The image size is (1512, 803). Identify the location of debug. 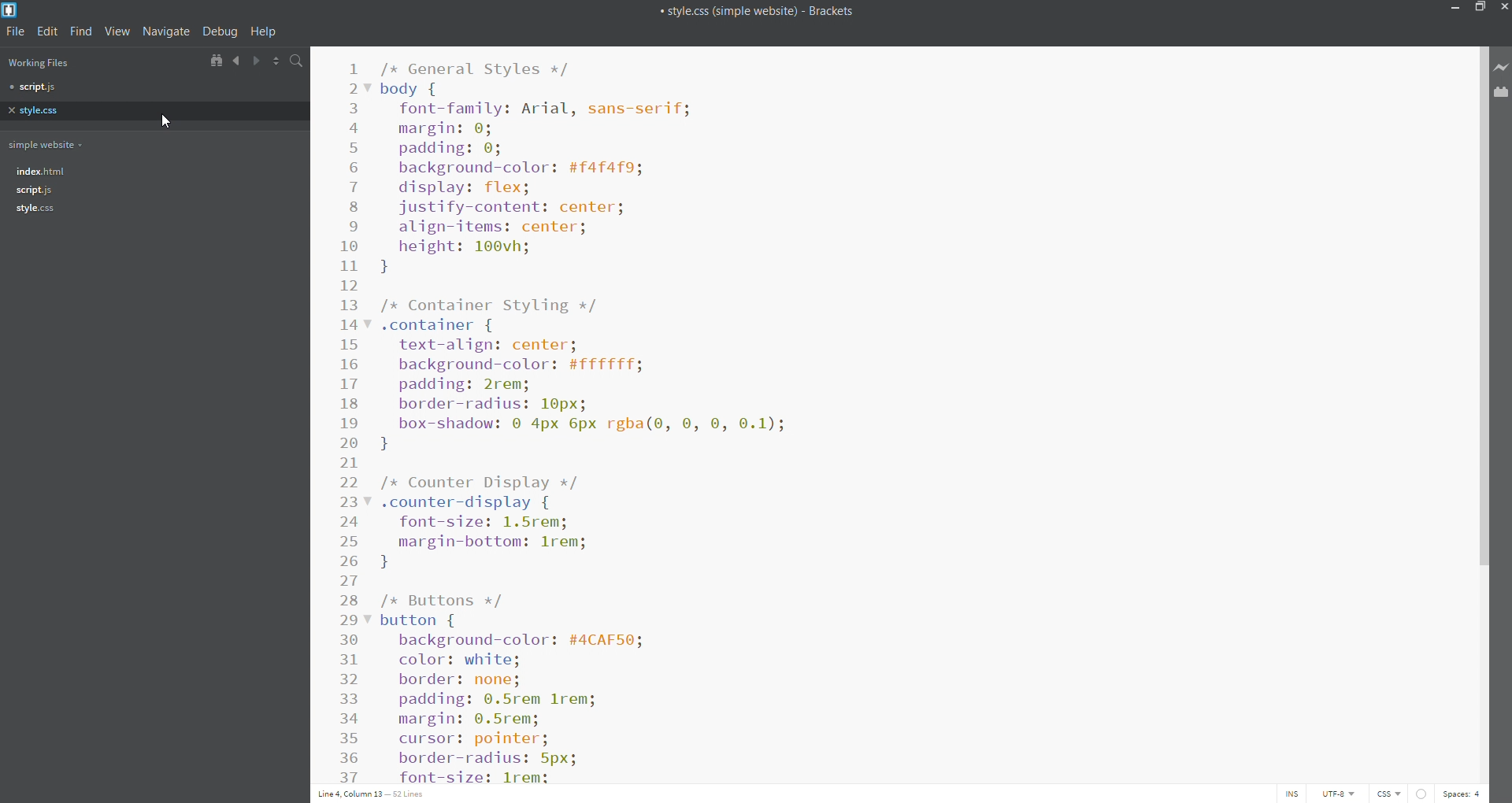
(220, 31).